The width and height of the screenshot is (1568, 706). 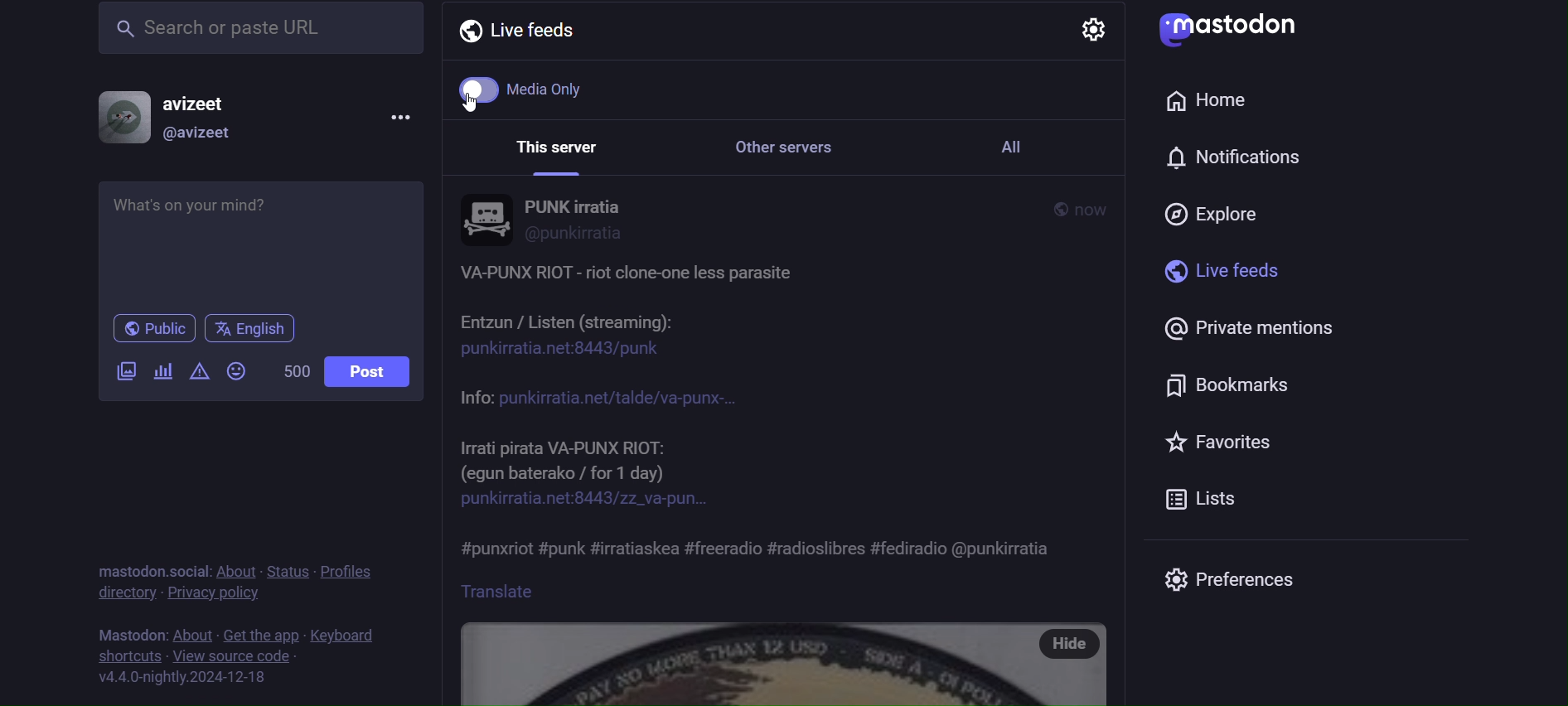 I want to click on profiles, so click(x=353, y=571).